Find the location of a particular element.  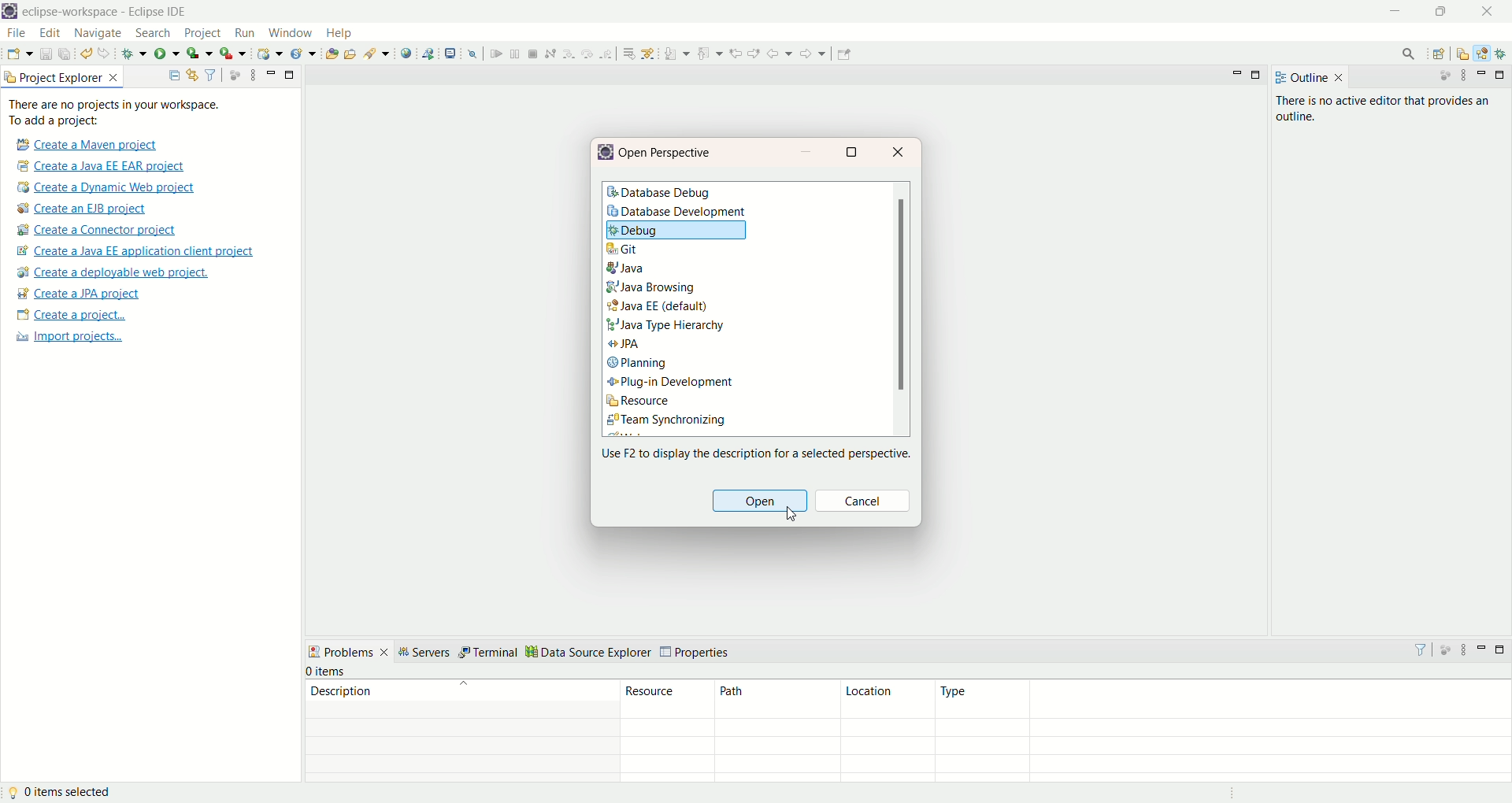

help is located at coordinates (340, 33).